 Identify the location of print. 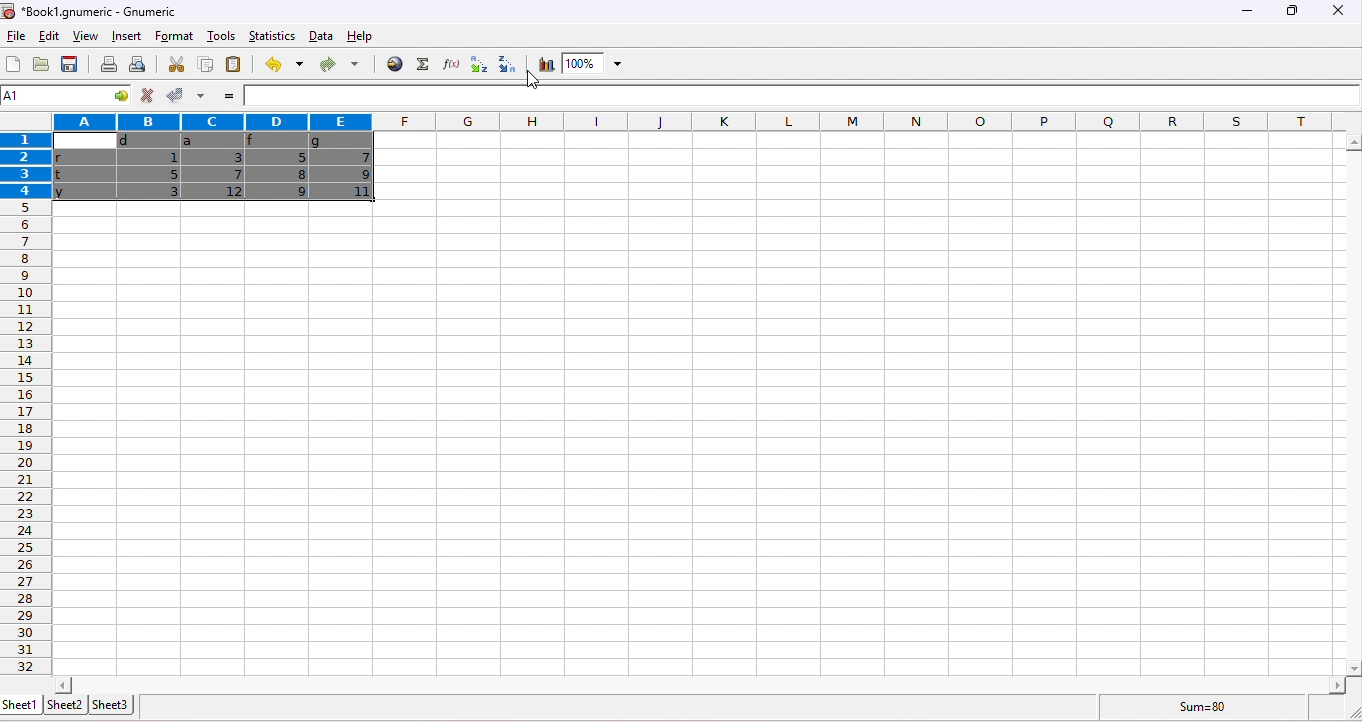
(108, 64).